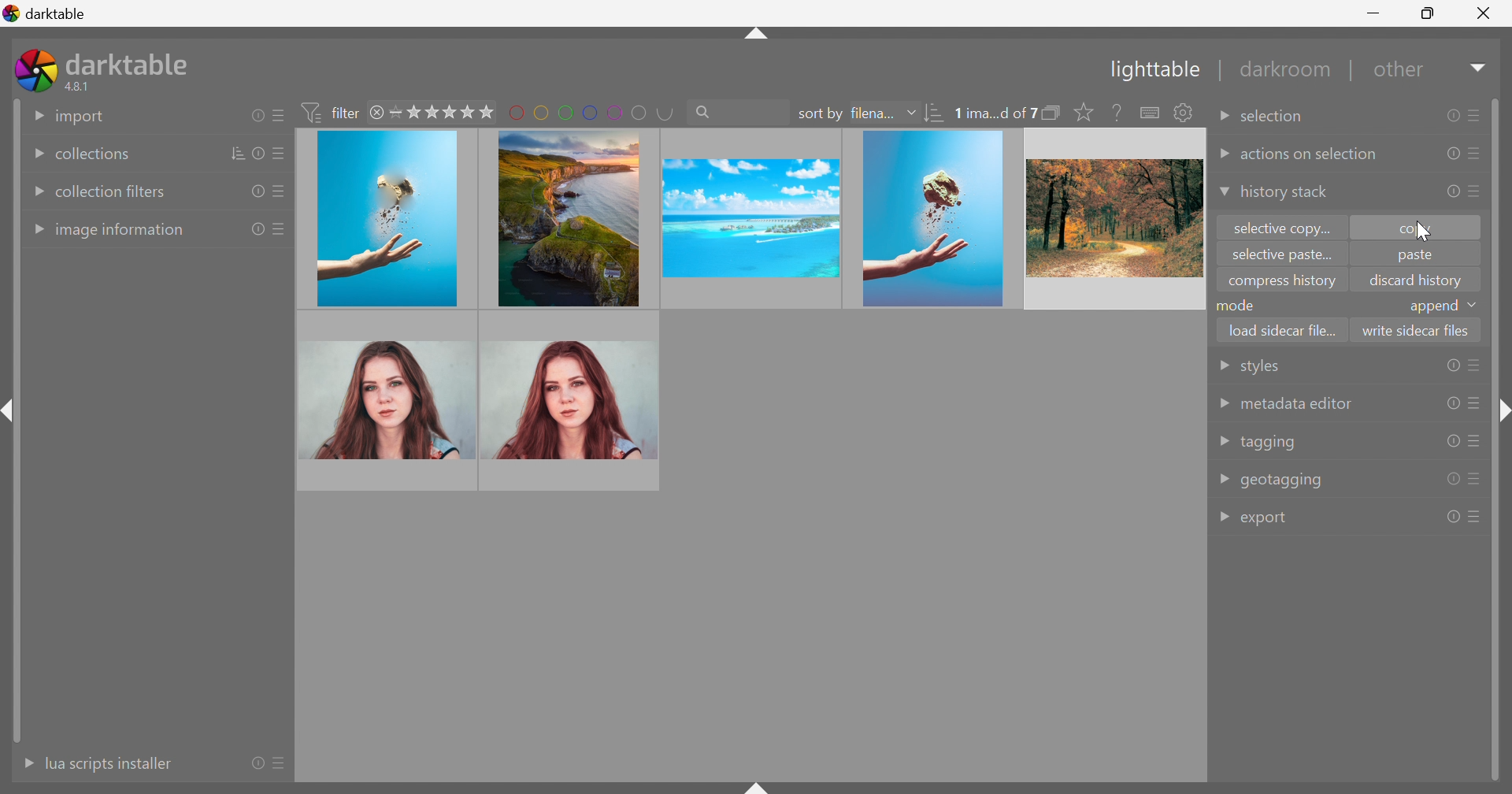 This screenshot has height=794, width=1512. I want to click on presets, so click(278, 116).